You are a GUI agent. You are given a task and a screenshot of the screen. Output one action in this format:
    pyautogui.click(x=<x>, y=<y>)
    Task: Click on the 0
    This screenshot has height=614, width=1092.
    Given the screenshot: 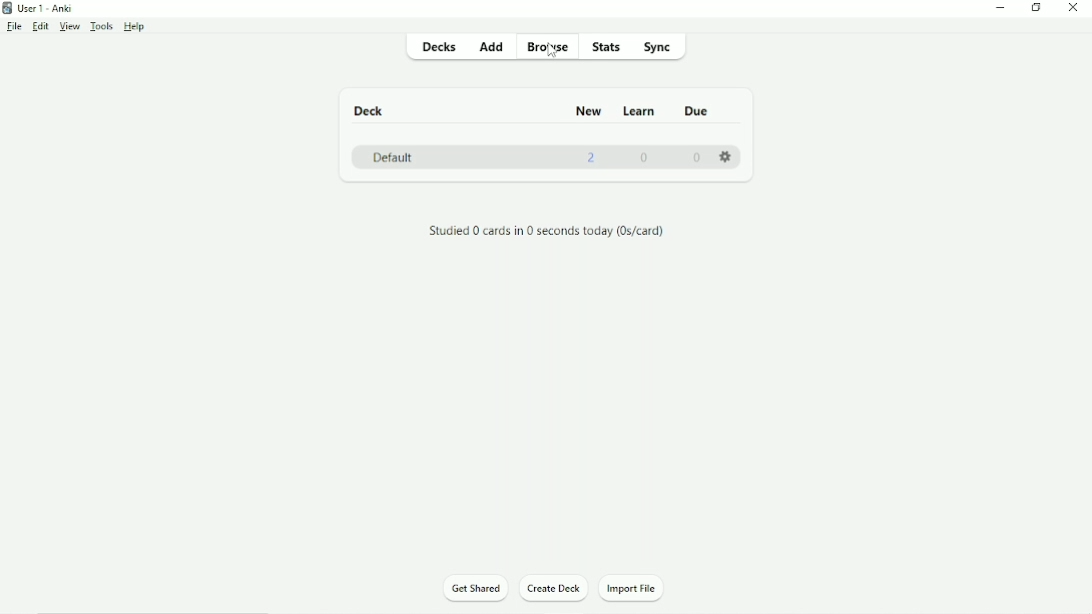 What is the action you would take?
    pyautogui.click(x=644, y=159)
    